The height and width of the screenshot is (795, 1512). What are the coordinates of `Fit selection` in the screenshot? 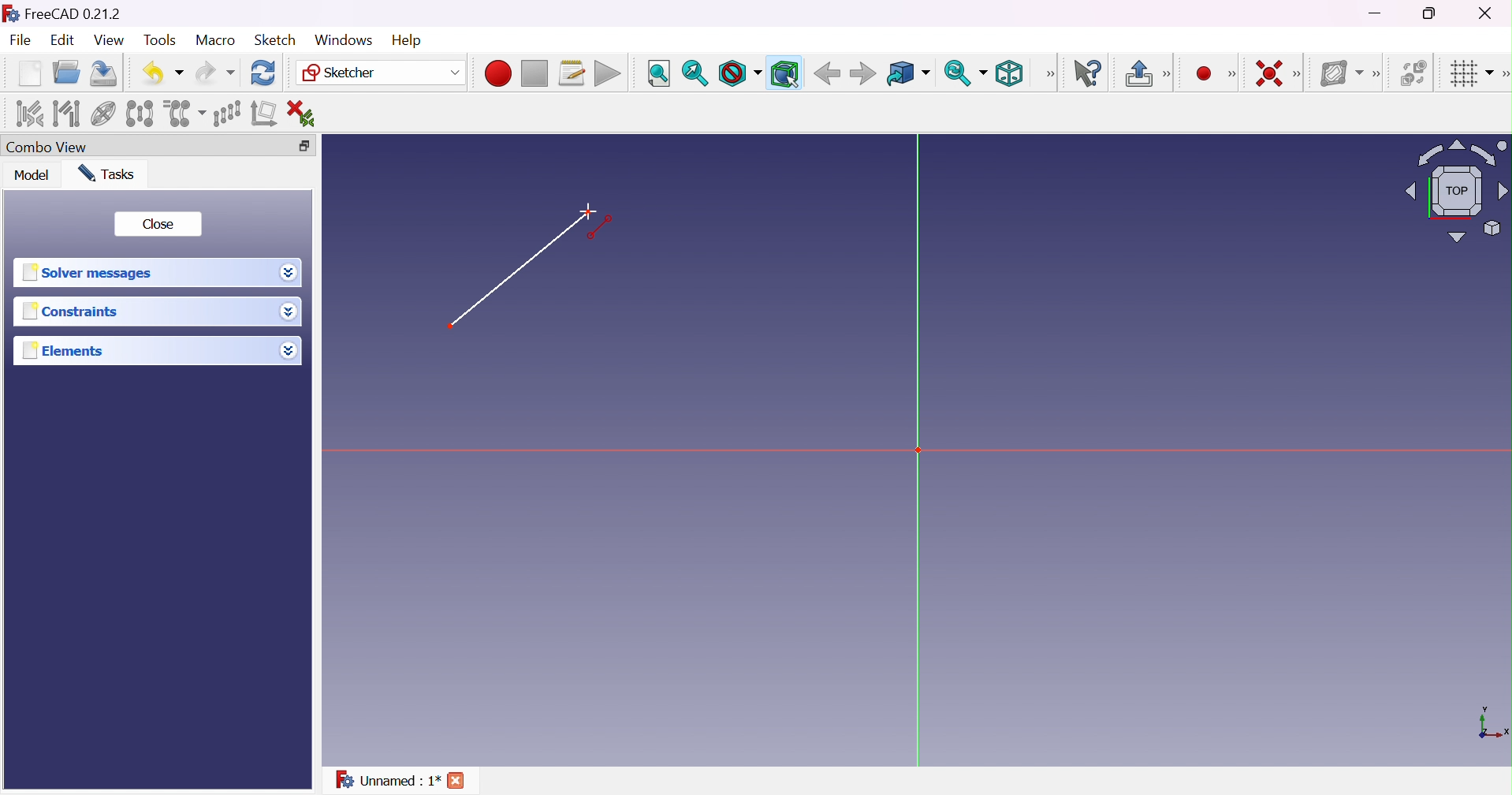 It's located at (695, 73).